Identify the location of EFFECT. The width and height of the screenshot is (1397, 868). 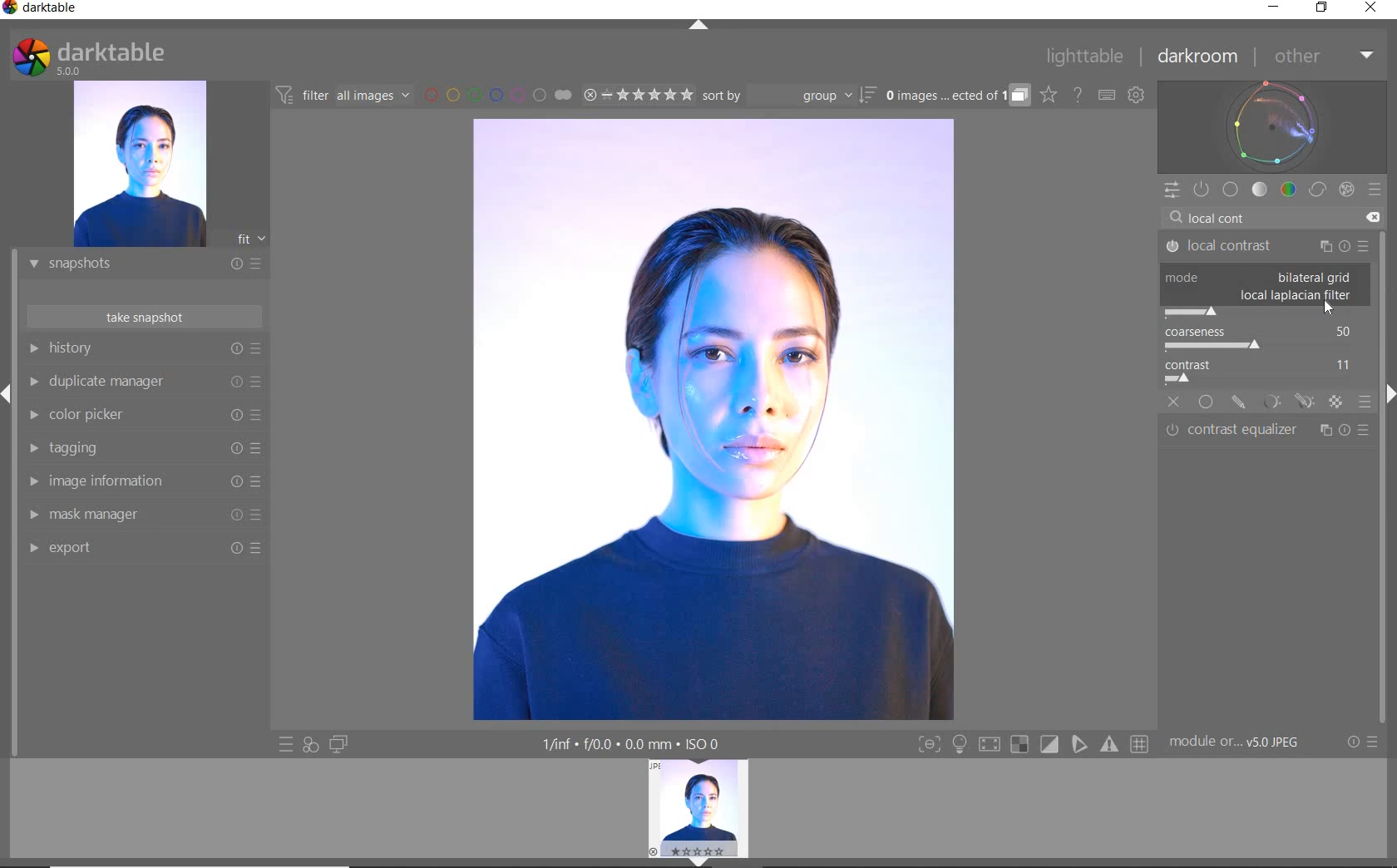
(1346, 189).